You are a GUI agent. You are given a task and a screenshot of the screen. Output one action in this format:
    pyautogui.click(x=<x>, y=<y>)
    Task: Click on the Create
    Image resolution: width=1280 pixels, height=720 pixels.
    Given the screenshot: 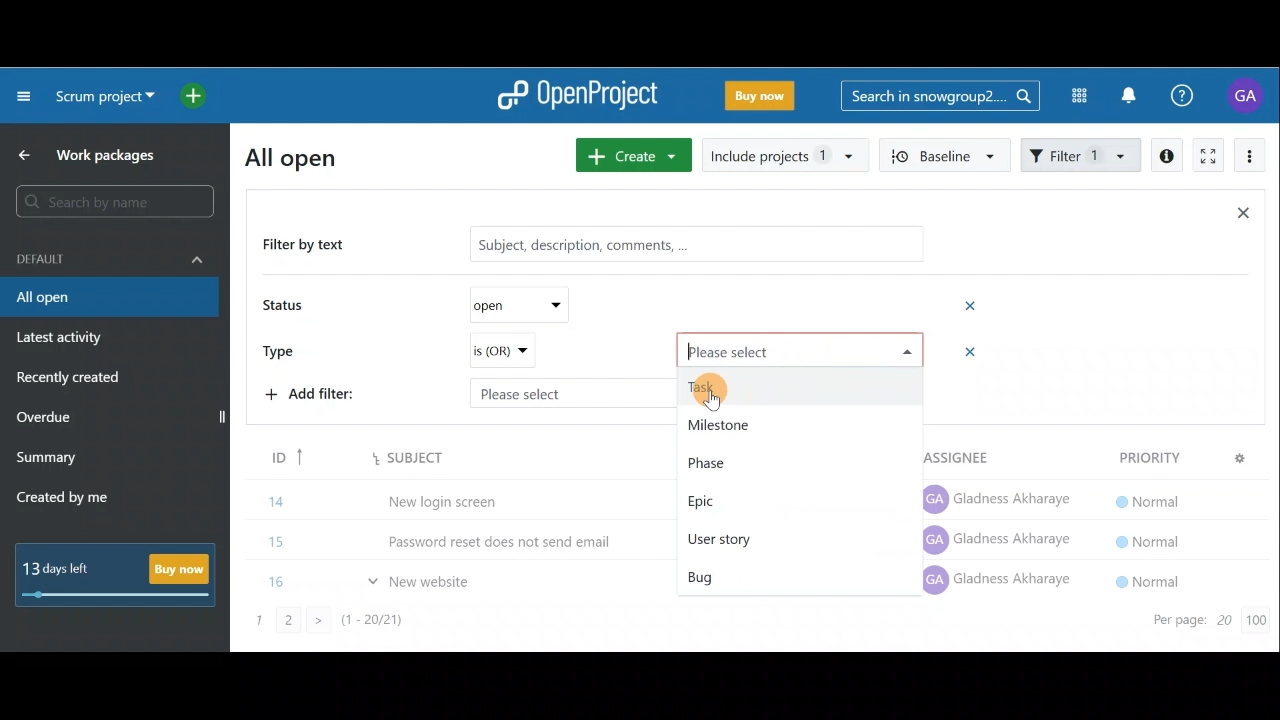 What is the action you would take?
    pyautogui.click(x=630, y=155)
    